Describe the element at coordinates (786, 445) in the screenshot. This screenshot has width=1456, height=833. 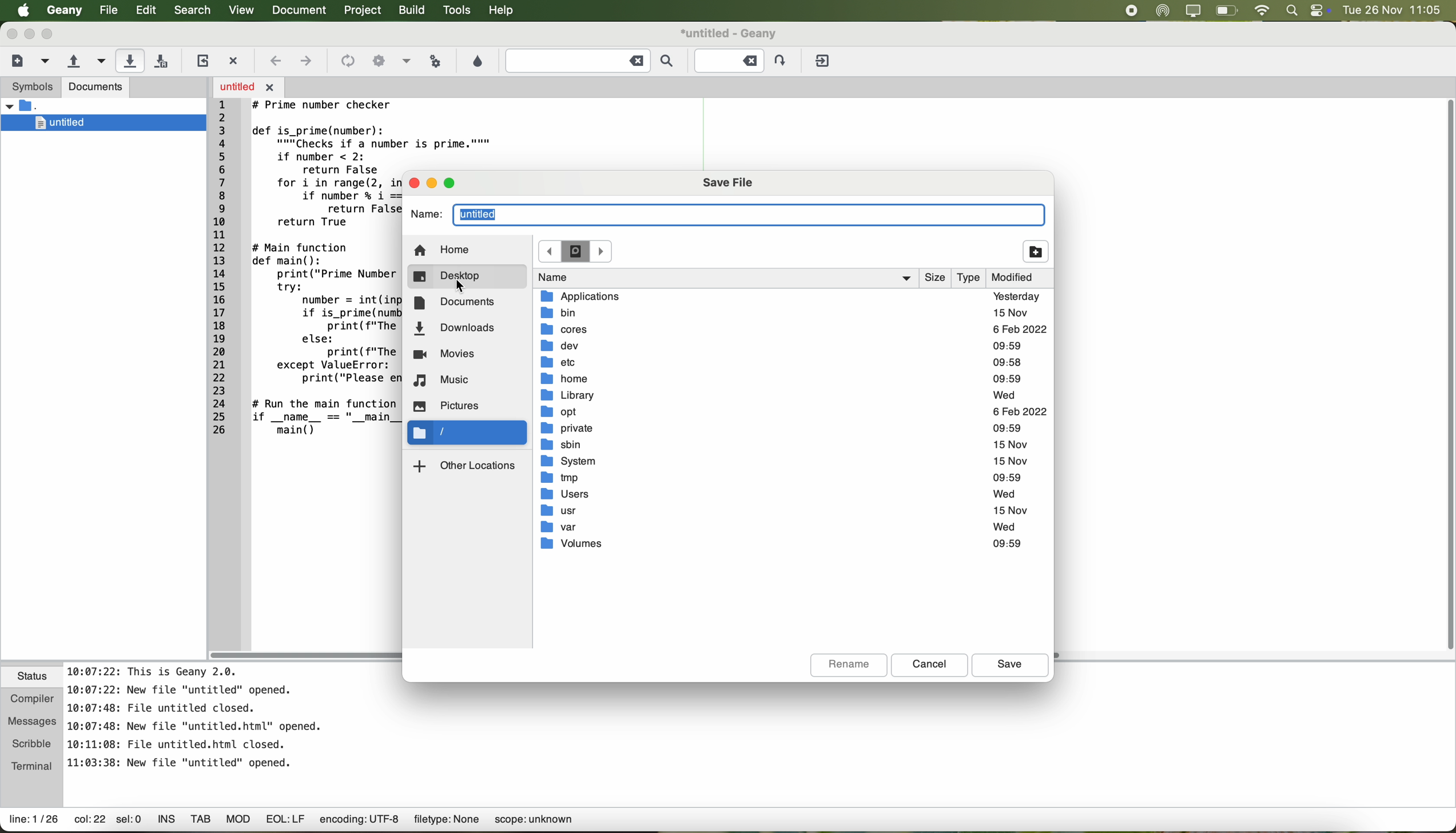
I see `sbin` at that location.